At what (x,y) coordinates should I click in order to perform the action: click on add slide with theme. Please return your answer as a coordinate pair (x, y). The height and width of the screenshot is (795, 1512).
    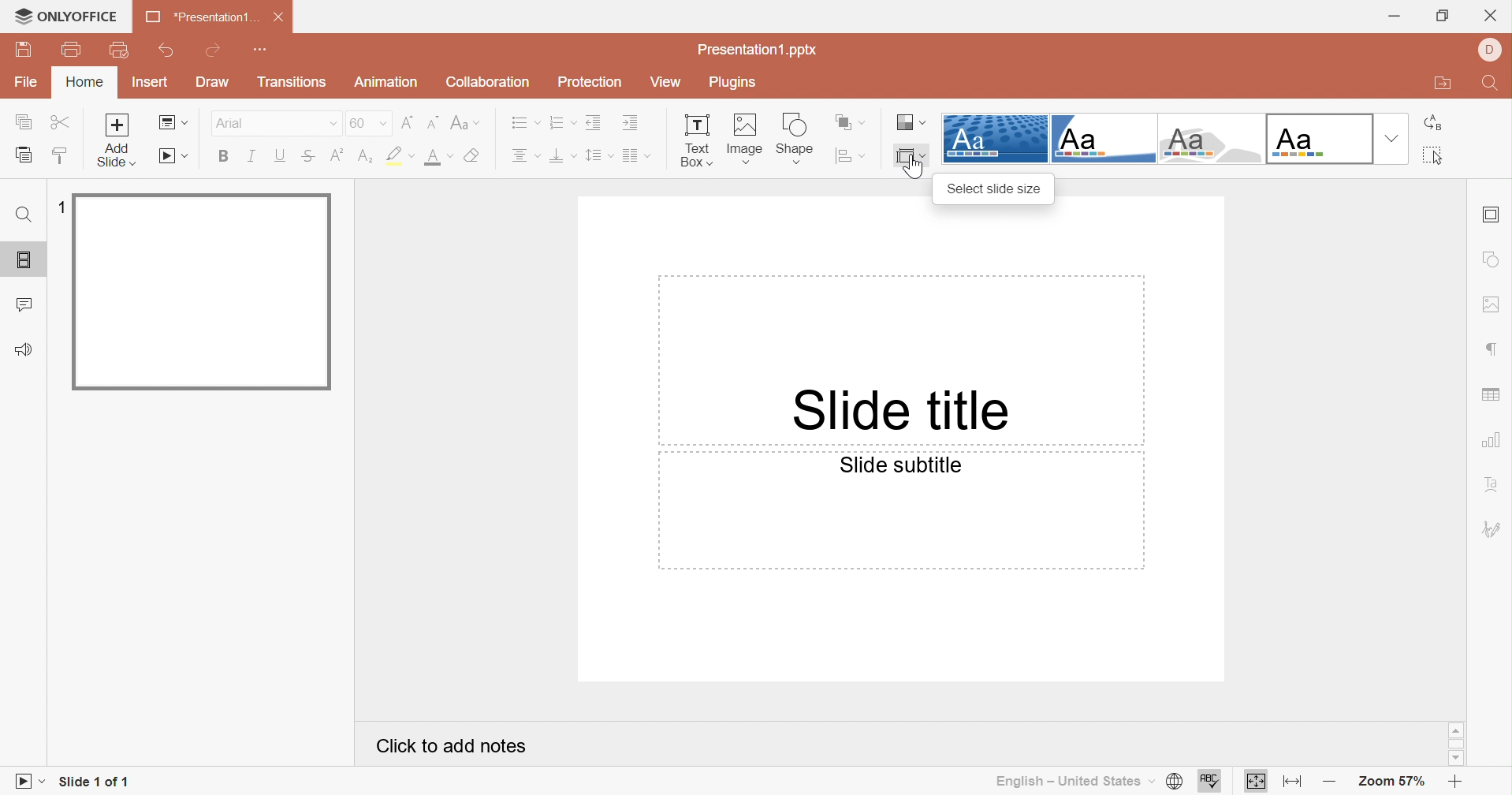
    Looking at the image, I should click on (114, 156).